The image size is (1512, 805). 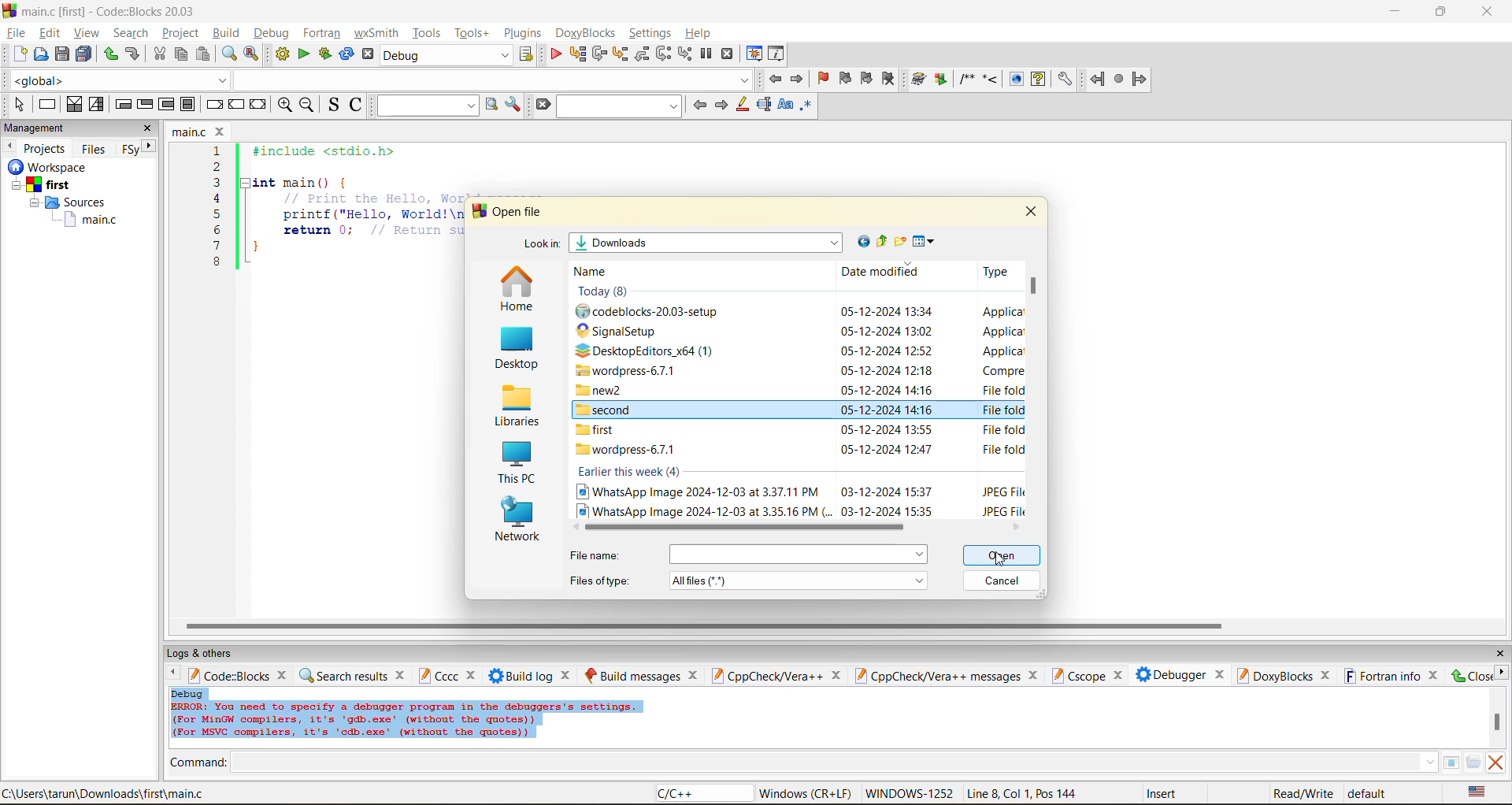 I want to click on rebuild, so click(x=346, y=54).